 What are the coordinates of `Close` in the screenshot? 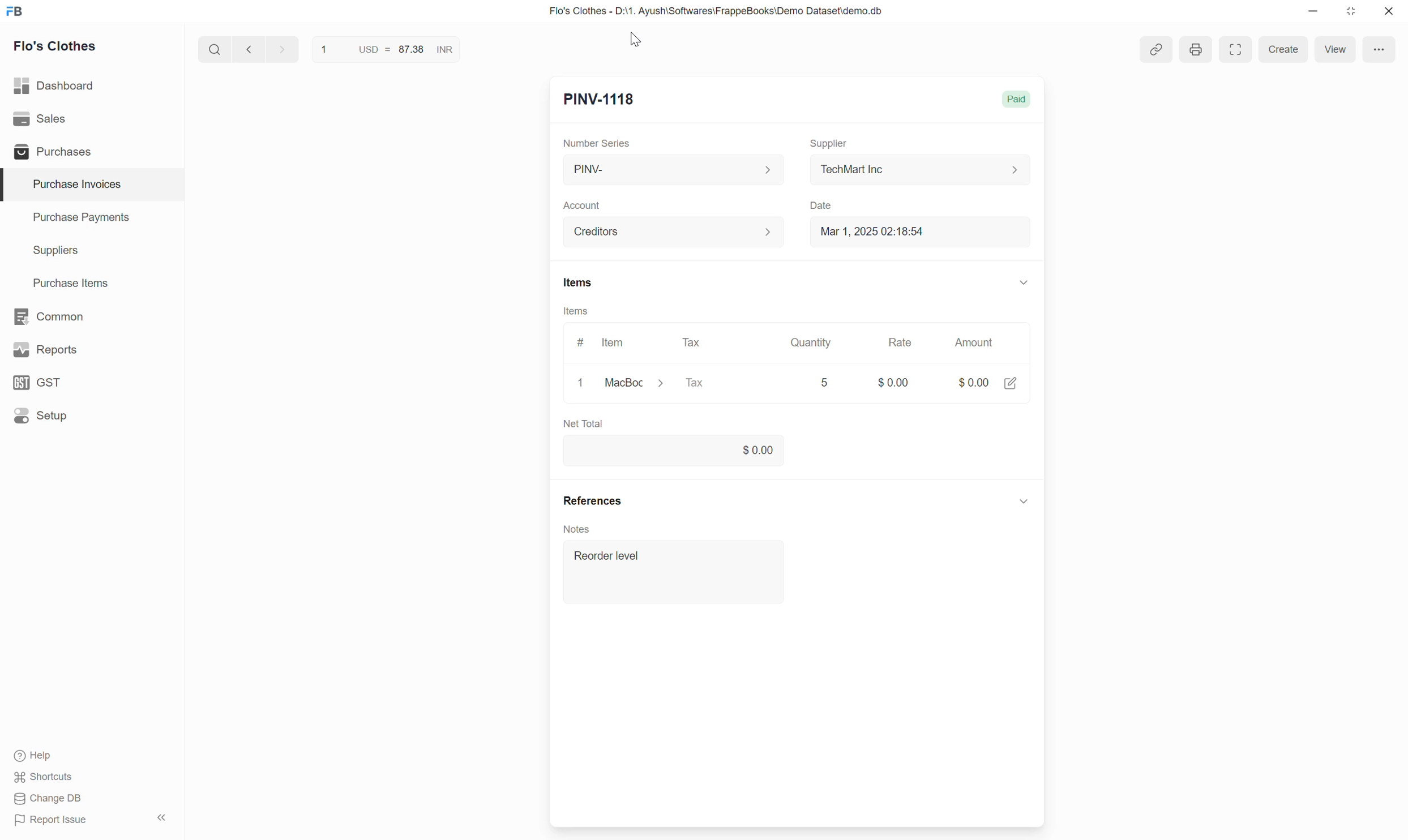 It's located at (1389, 11).